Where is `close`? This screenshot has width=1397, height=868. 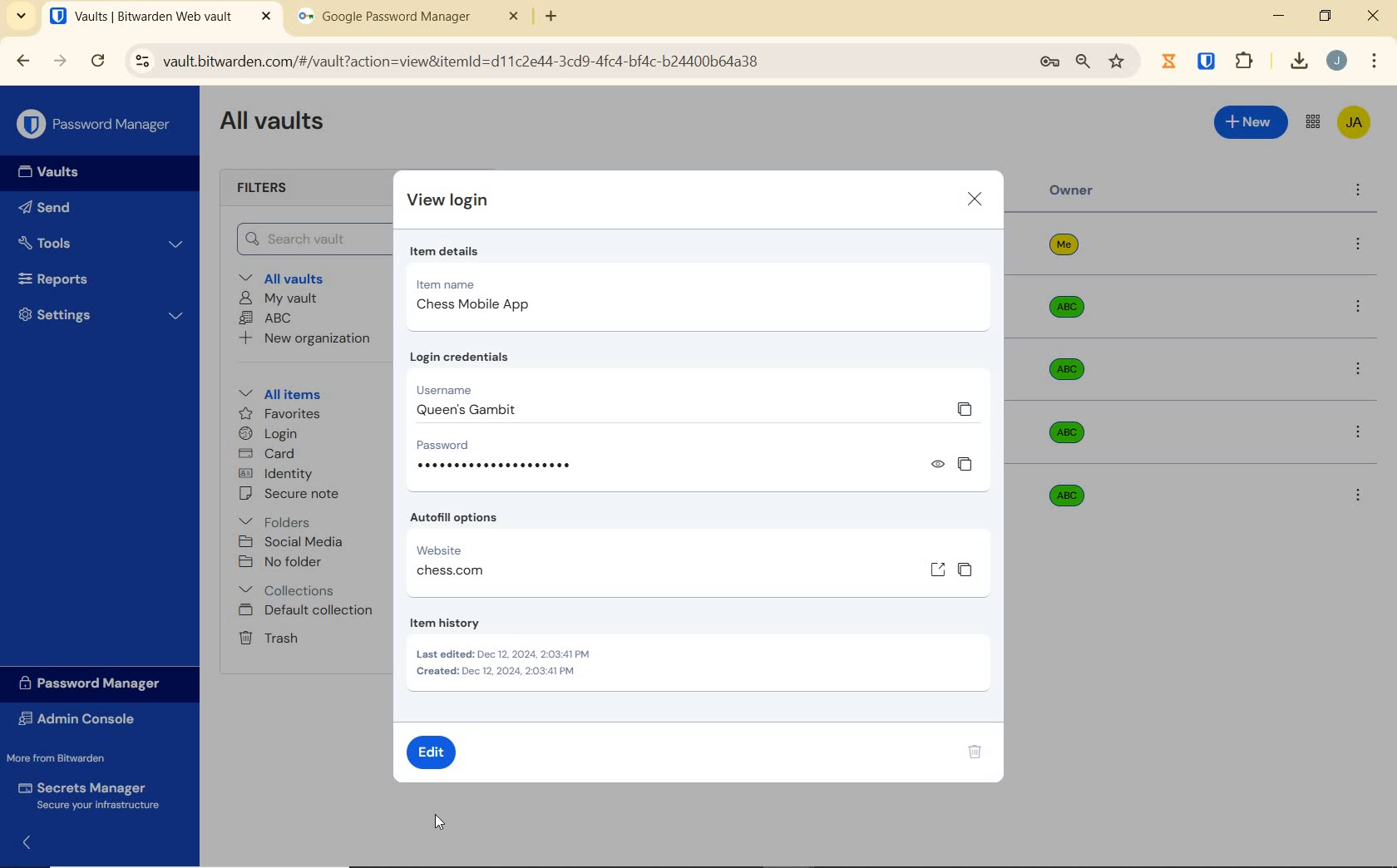 close is located at coordinates (975, 201).